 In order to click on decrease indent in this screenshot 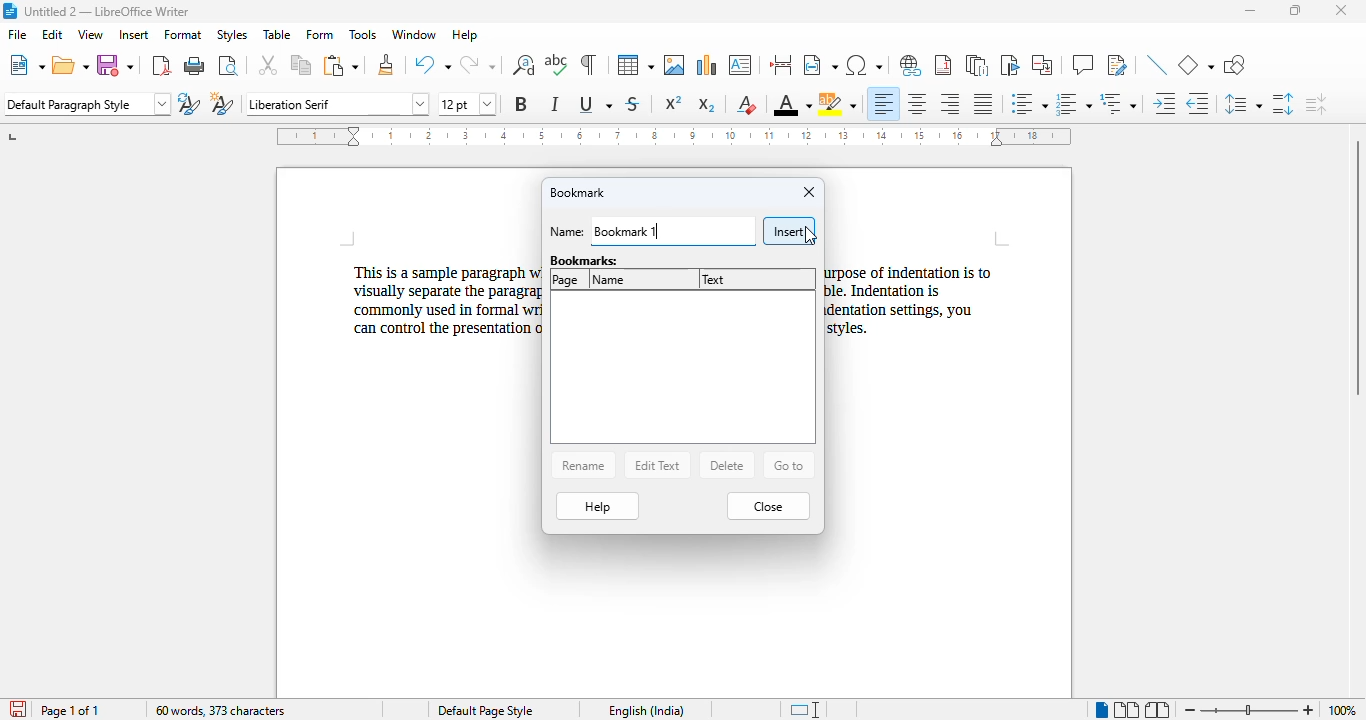, I will do `click(1196, 103)`.